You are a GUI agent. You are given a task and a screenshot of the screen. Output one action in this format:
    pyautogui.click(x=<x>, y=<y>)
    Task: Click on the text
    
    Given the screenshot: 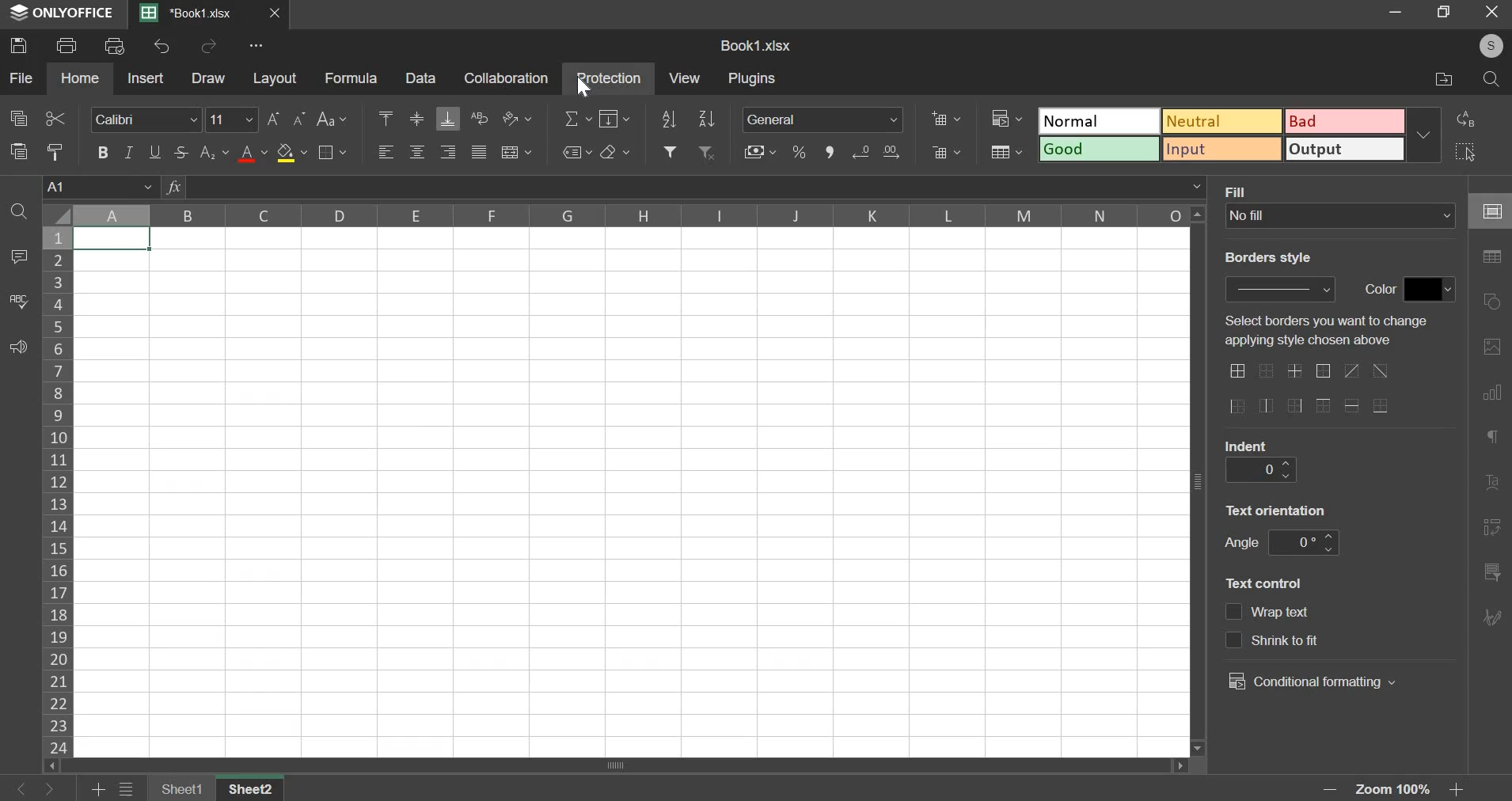 What is the action you would take?
    pyautogui.click(x=1278, y=508)
    